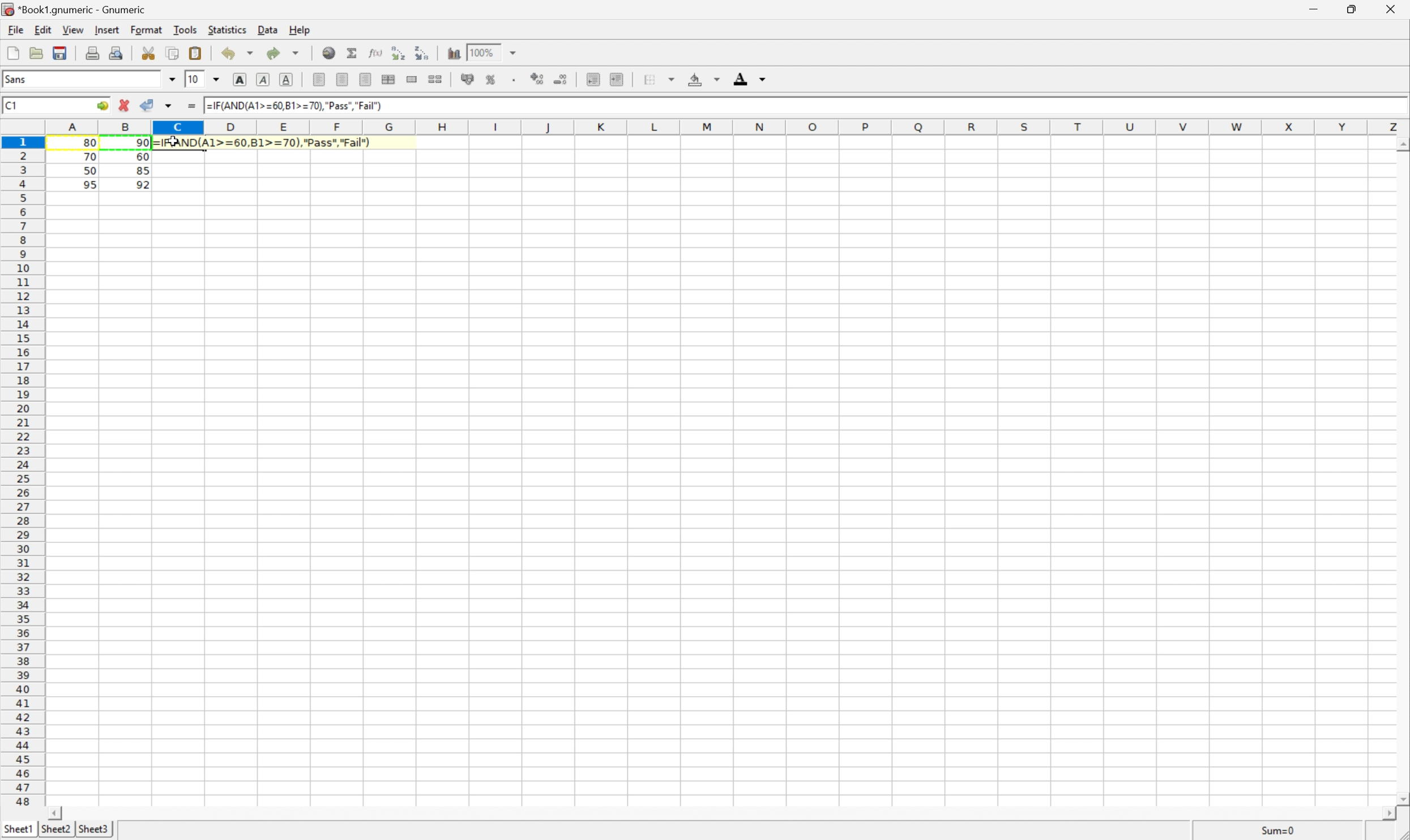 This screenshot has height=840, width=1410. What do you see at coordinates (59, 52) in the screenshot?
I see `Save the current file` at bounding box center [59, 52].